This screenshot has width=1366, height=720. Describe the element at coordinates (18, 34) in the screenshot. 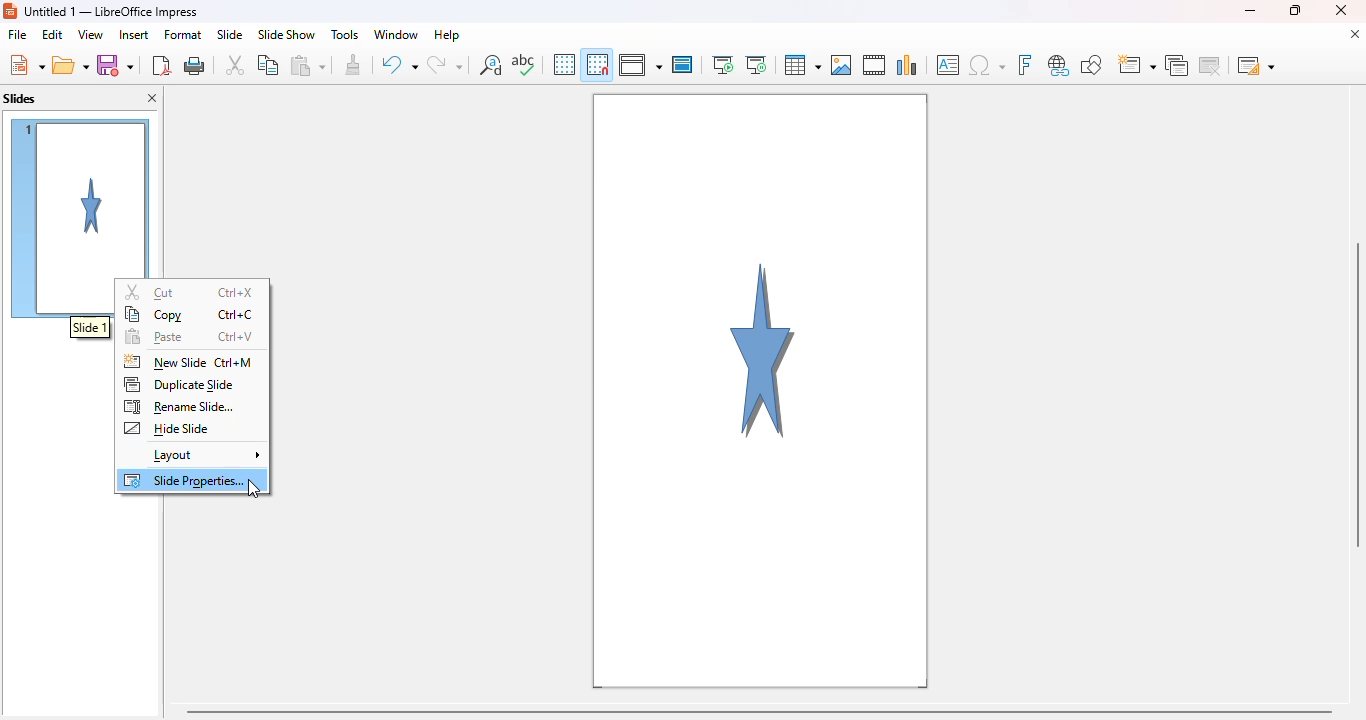

I see `file` at that location.